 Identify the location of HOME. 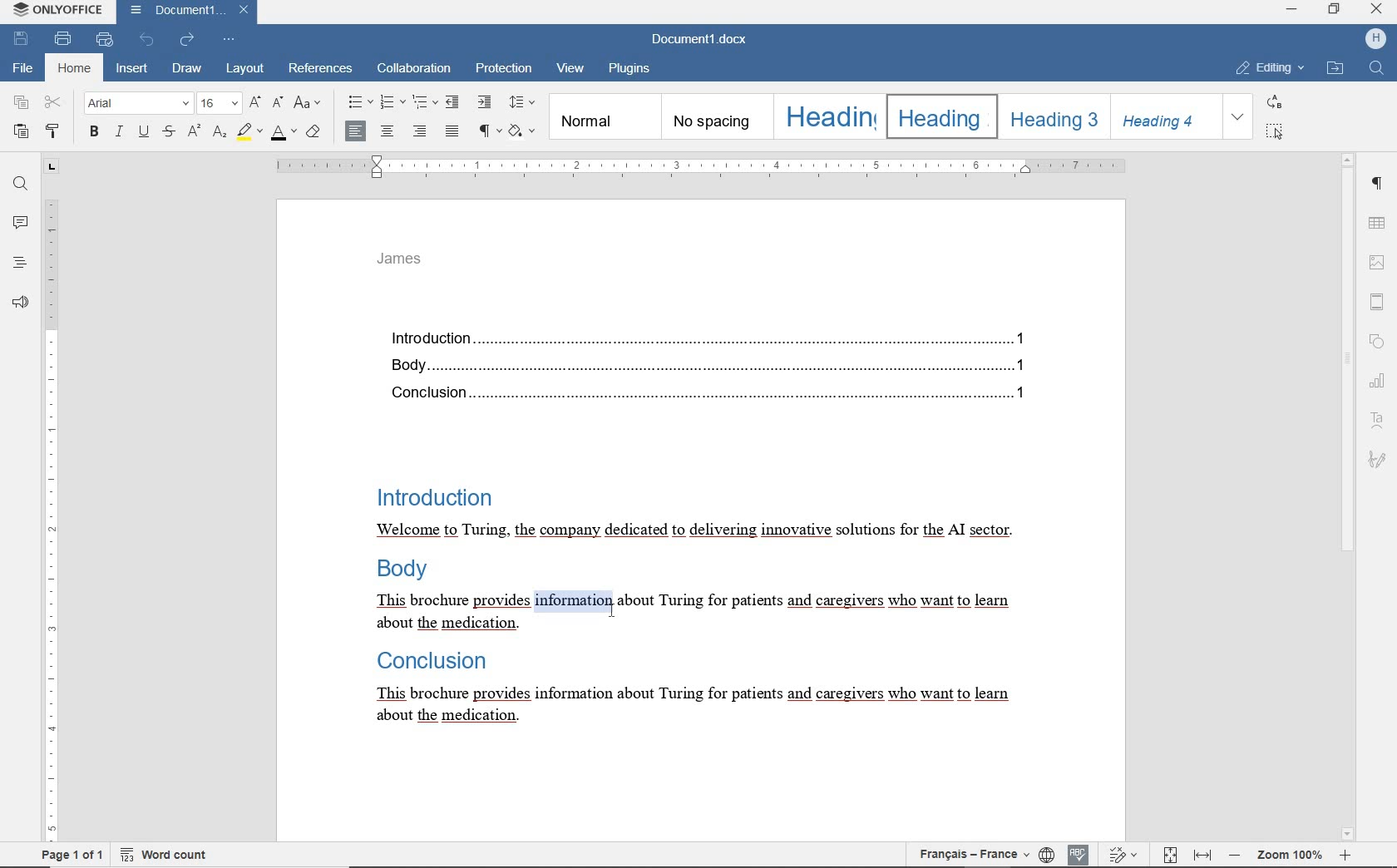
(72, 69).